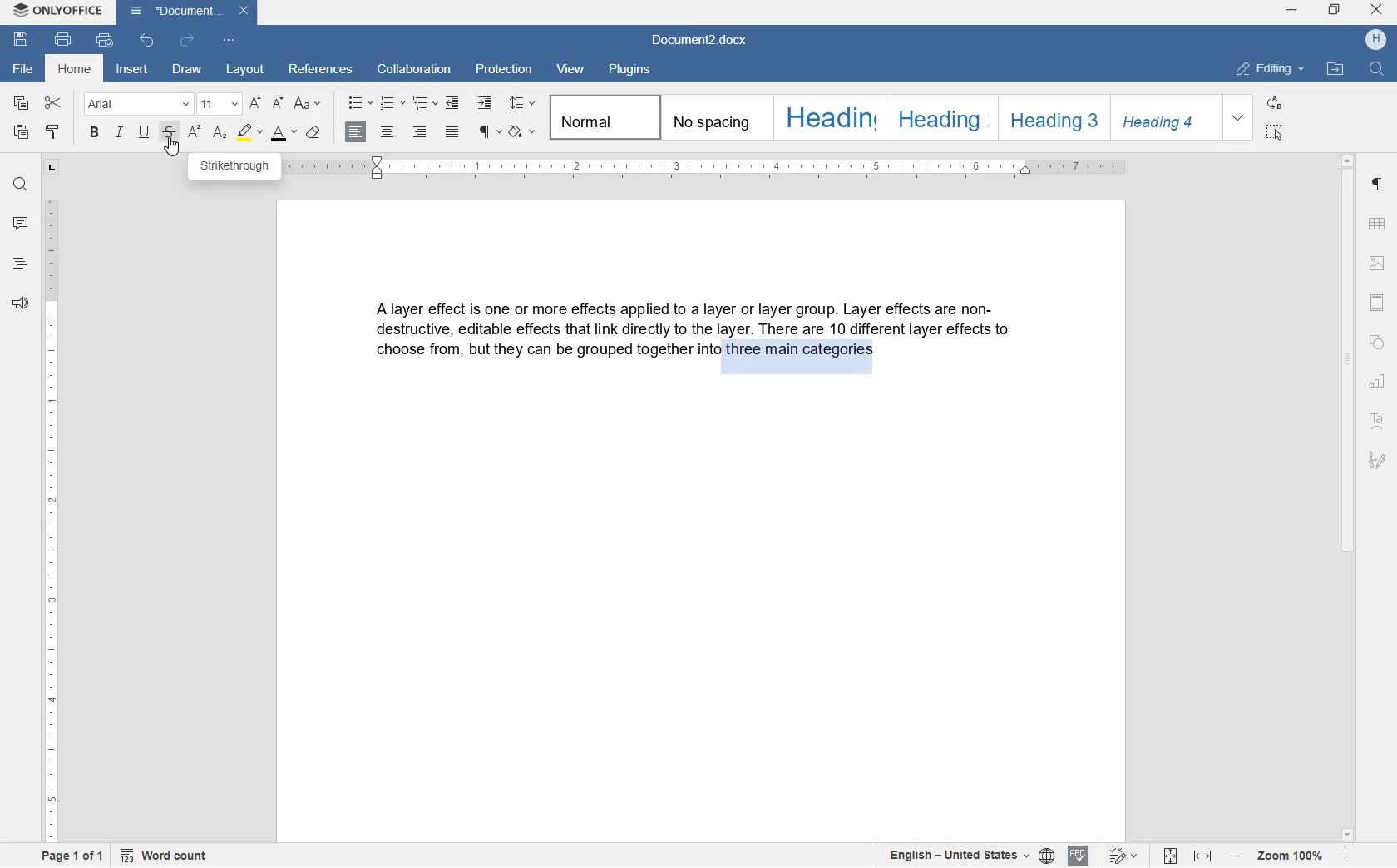 This screenshot has height=868, width=1397. I want to click on font name, so click(136, 104).